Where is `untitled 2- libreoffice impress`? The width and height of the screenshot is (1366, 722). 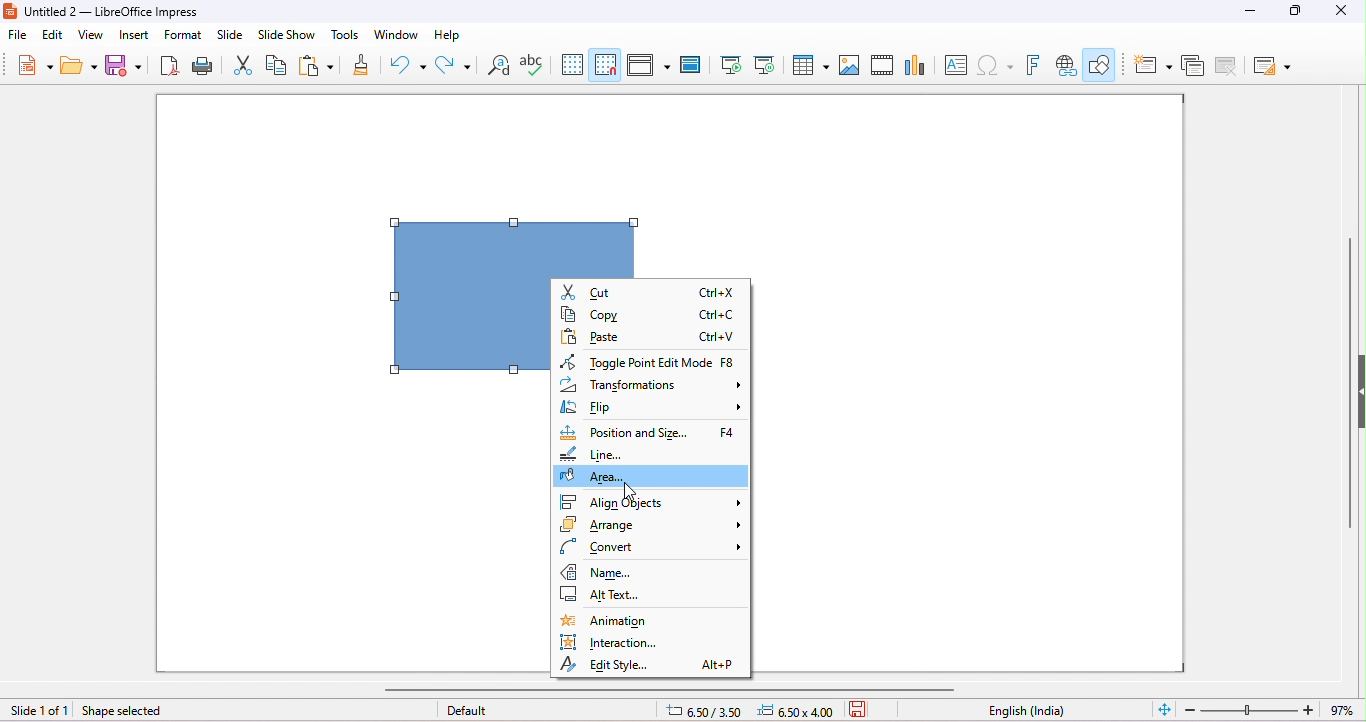
untitled 2- libreoffice impress is located at coordinates (126, 11).